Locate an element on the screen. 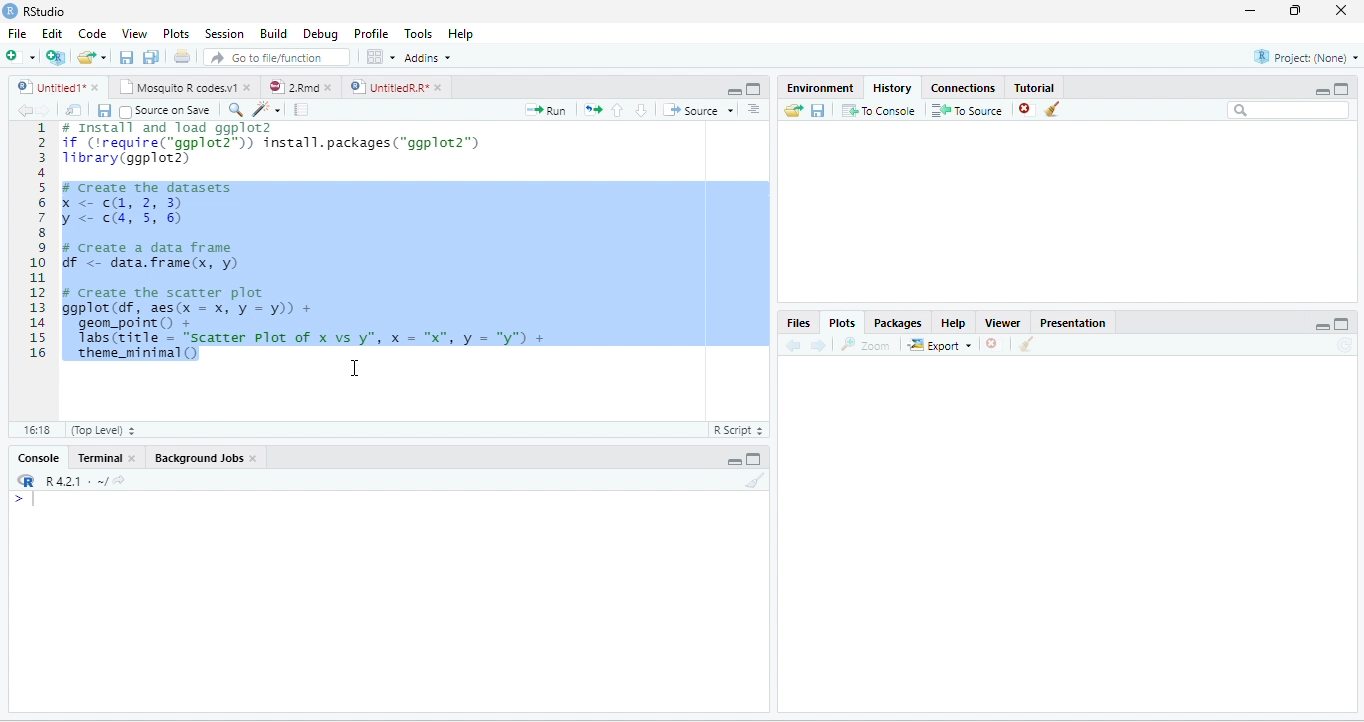 The width and height of the screenshot is (1364, 722). Clear all plots is located at coordinates (1027, 344).